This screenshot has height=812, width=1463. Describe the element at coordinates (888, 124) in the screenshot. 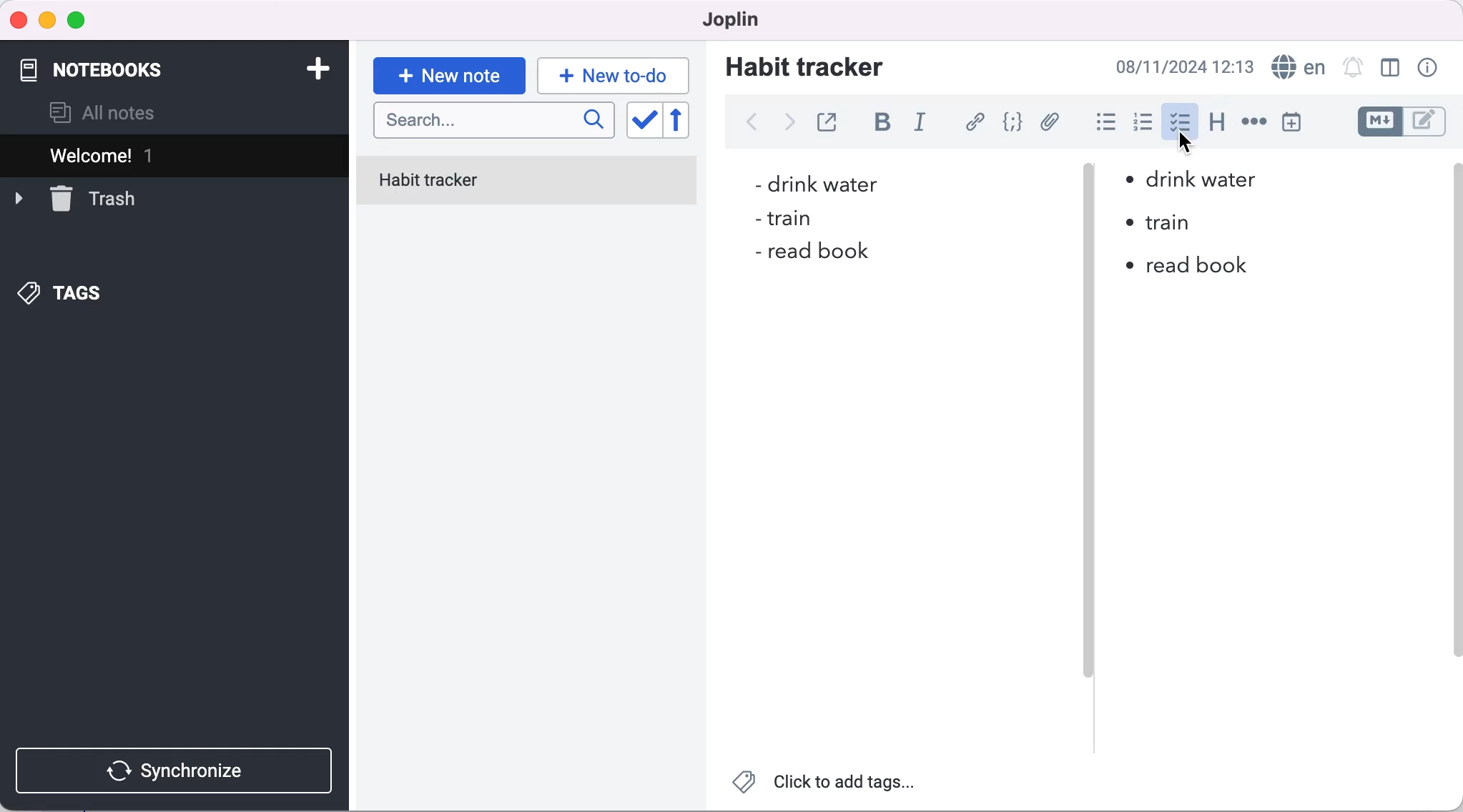

I see `bold` at that location.